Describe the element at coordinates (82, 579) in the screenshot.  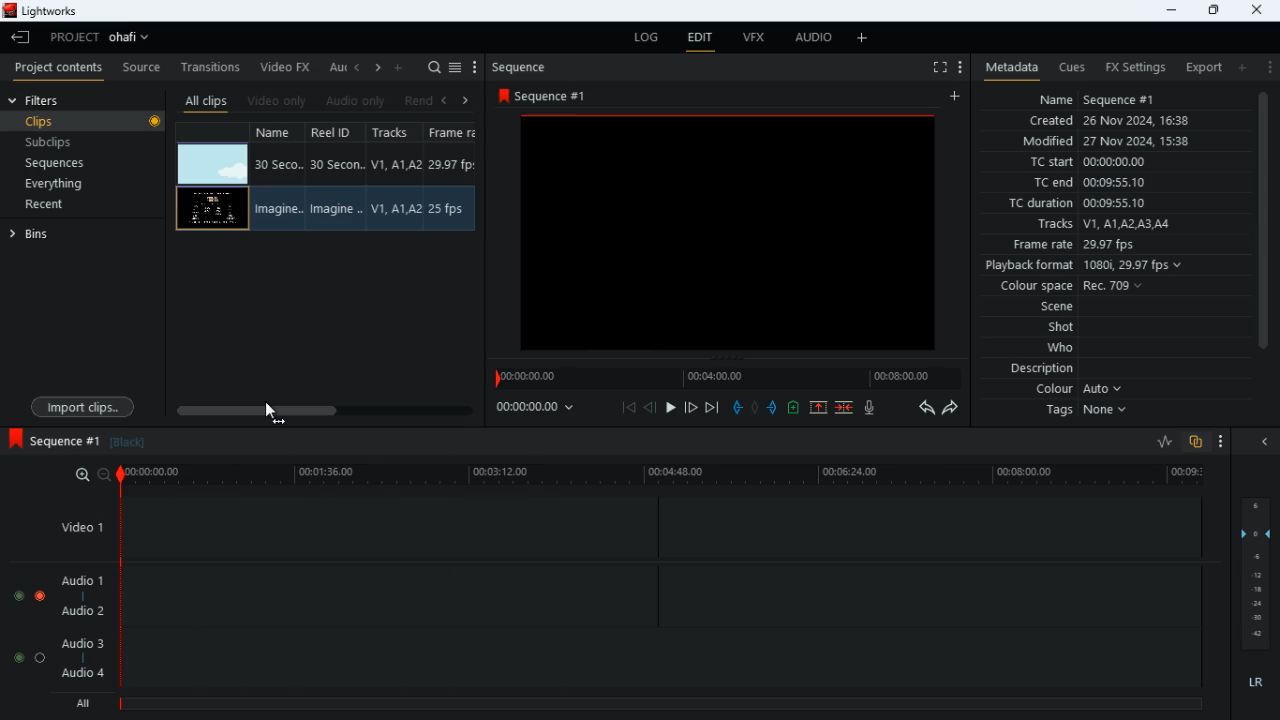
I see `audio 1` at that location.